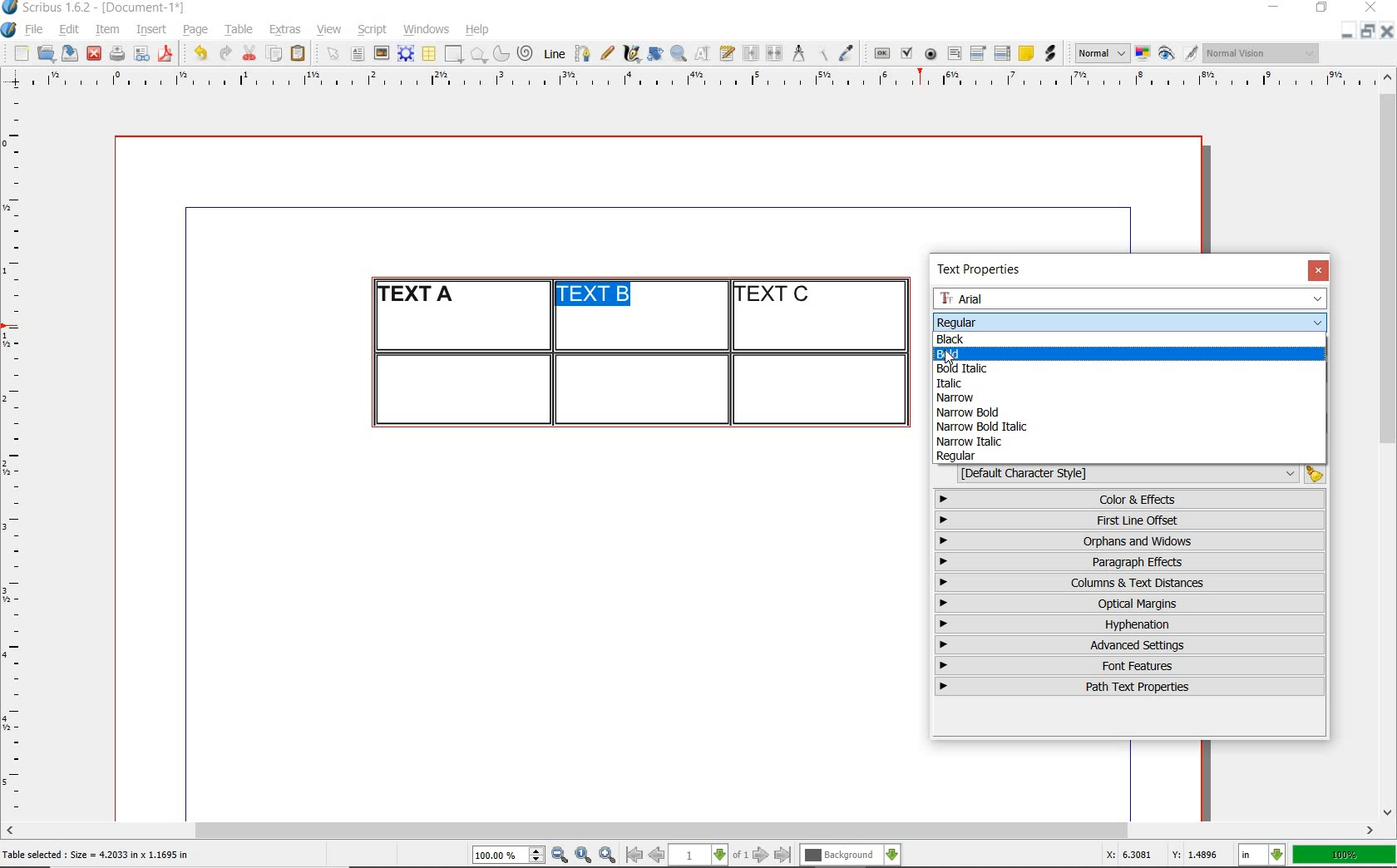 The width and height of the screenshot is (1397, 868). What do you see at coordinates (1348, 30) in the screenshot?
I see `minimize` at bounding box center [1348, 30].